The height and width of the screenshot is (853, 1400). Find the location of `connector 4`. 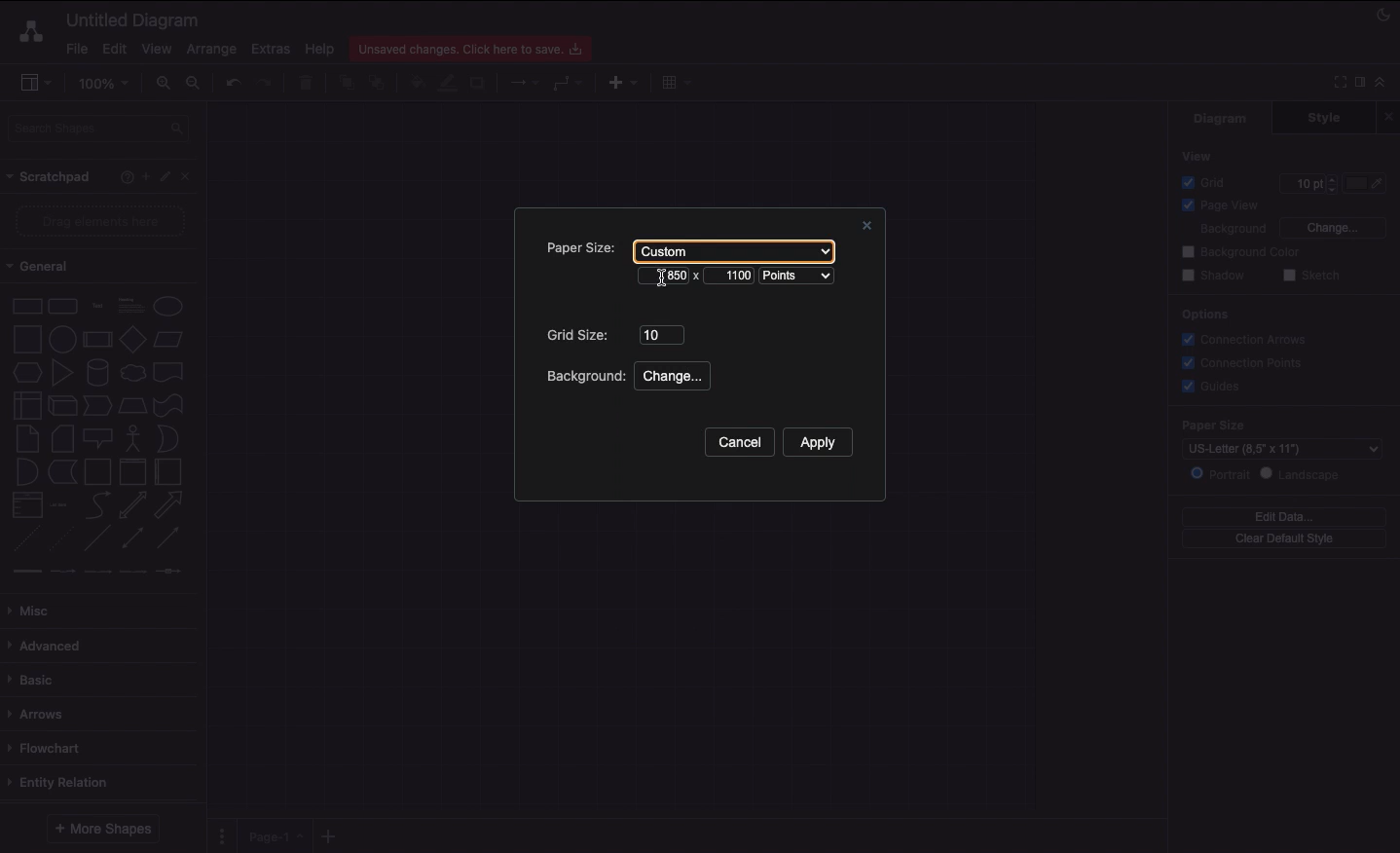

connector 4 is located at coordinates (134, 570).